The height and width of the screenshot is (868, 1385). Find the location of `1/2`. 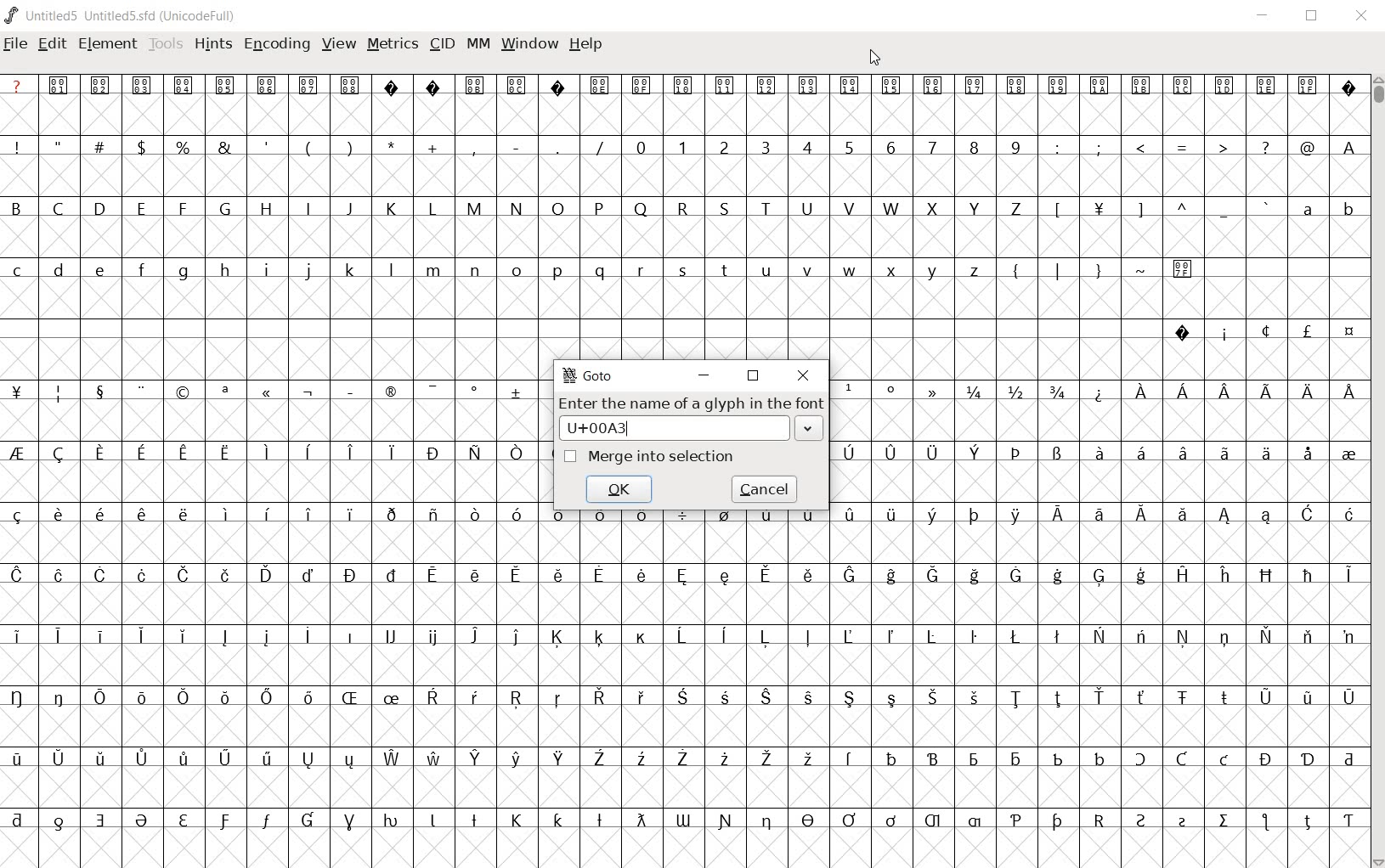

1/2 is located at coordinates (1014, 390).